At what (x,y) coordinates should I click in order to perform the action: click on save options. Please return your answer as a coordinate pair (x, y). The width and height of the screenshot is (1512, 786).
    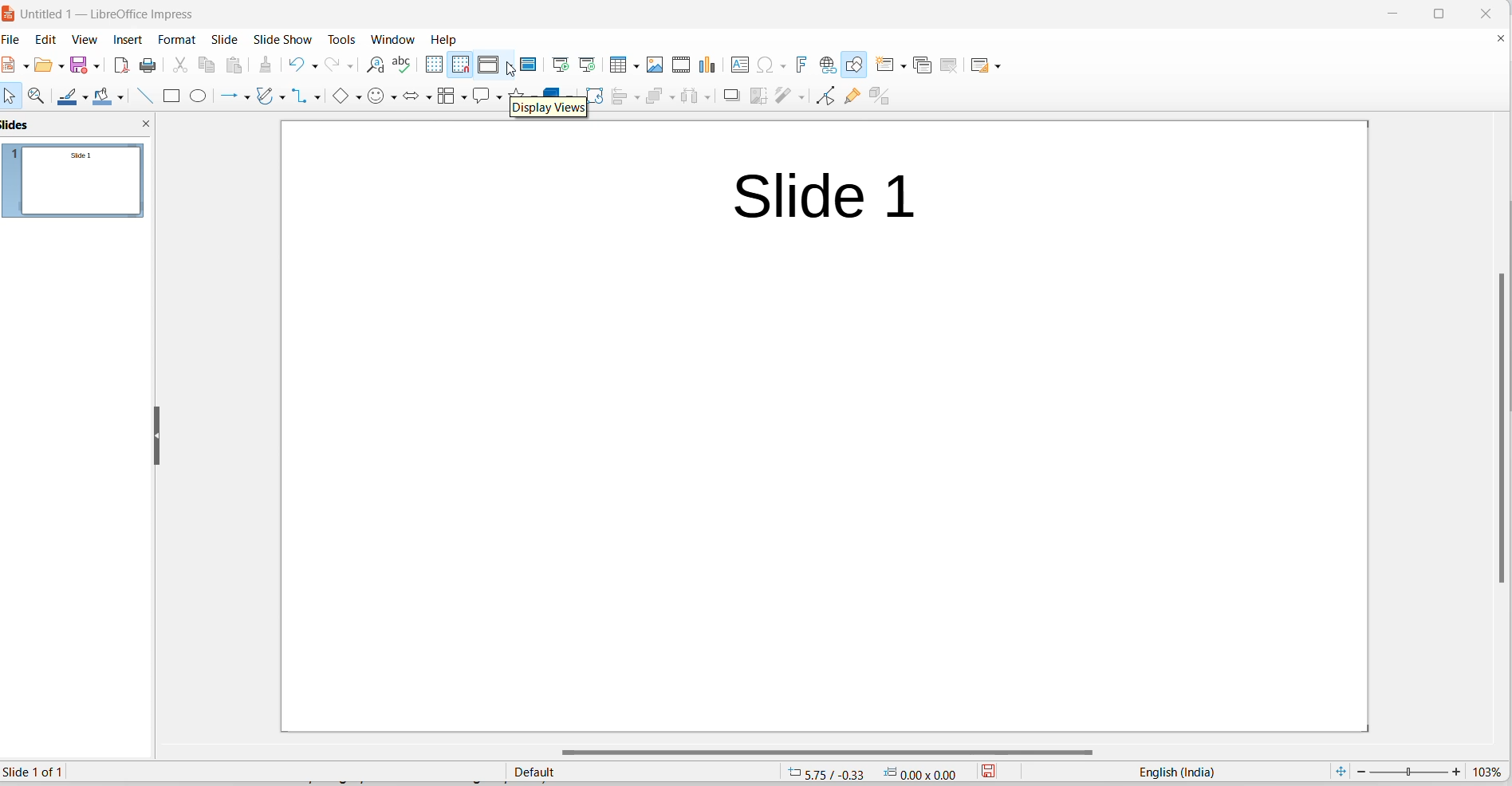
    Looking at the image, I should click on (96, 65).